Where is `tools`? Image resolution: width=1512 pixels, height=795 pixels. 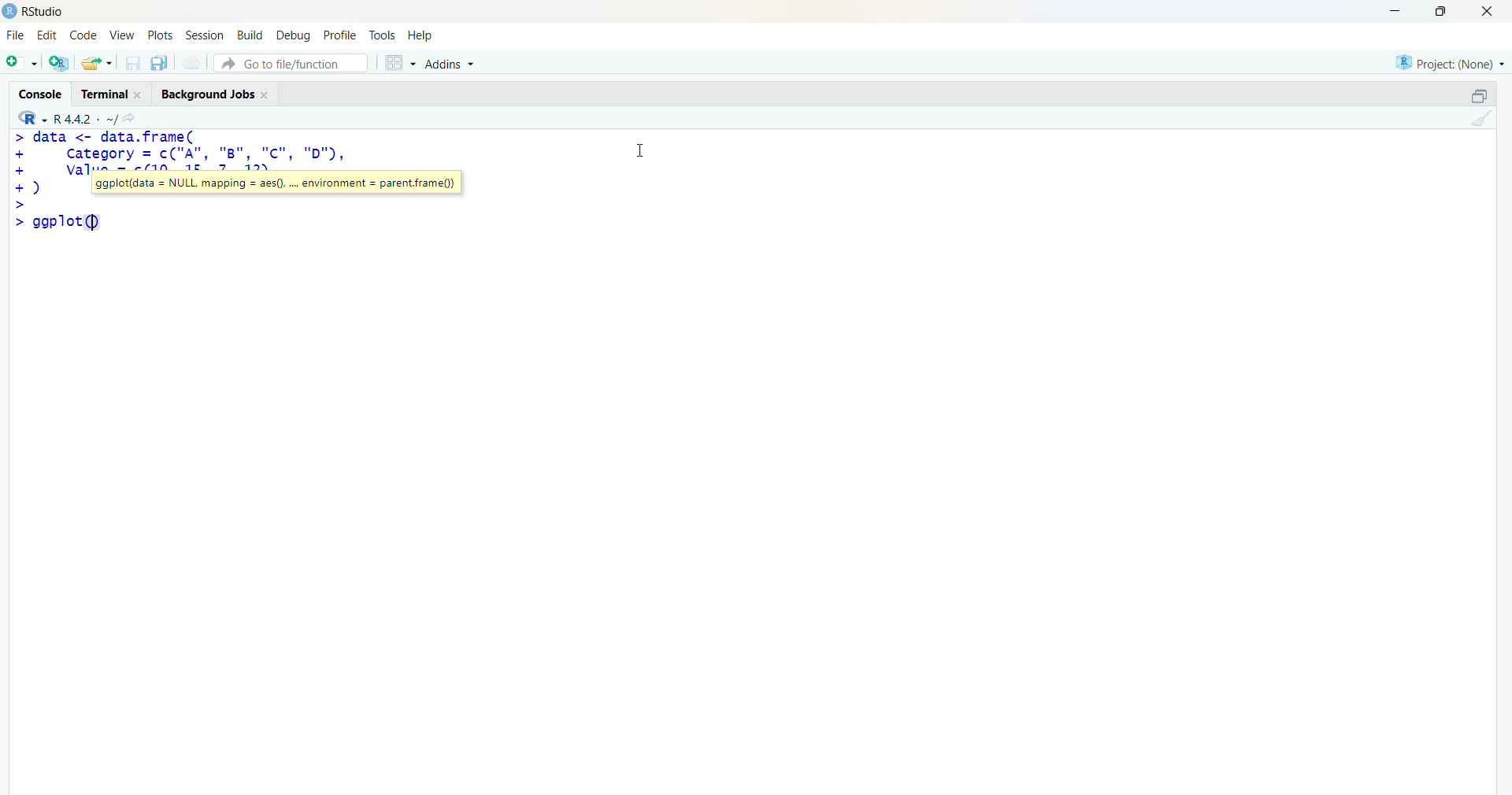 tools is located at coordinates (384, 35).